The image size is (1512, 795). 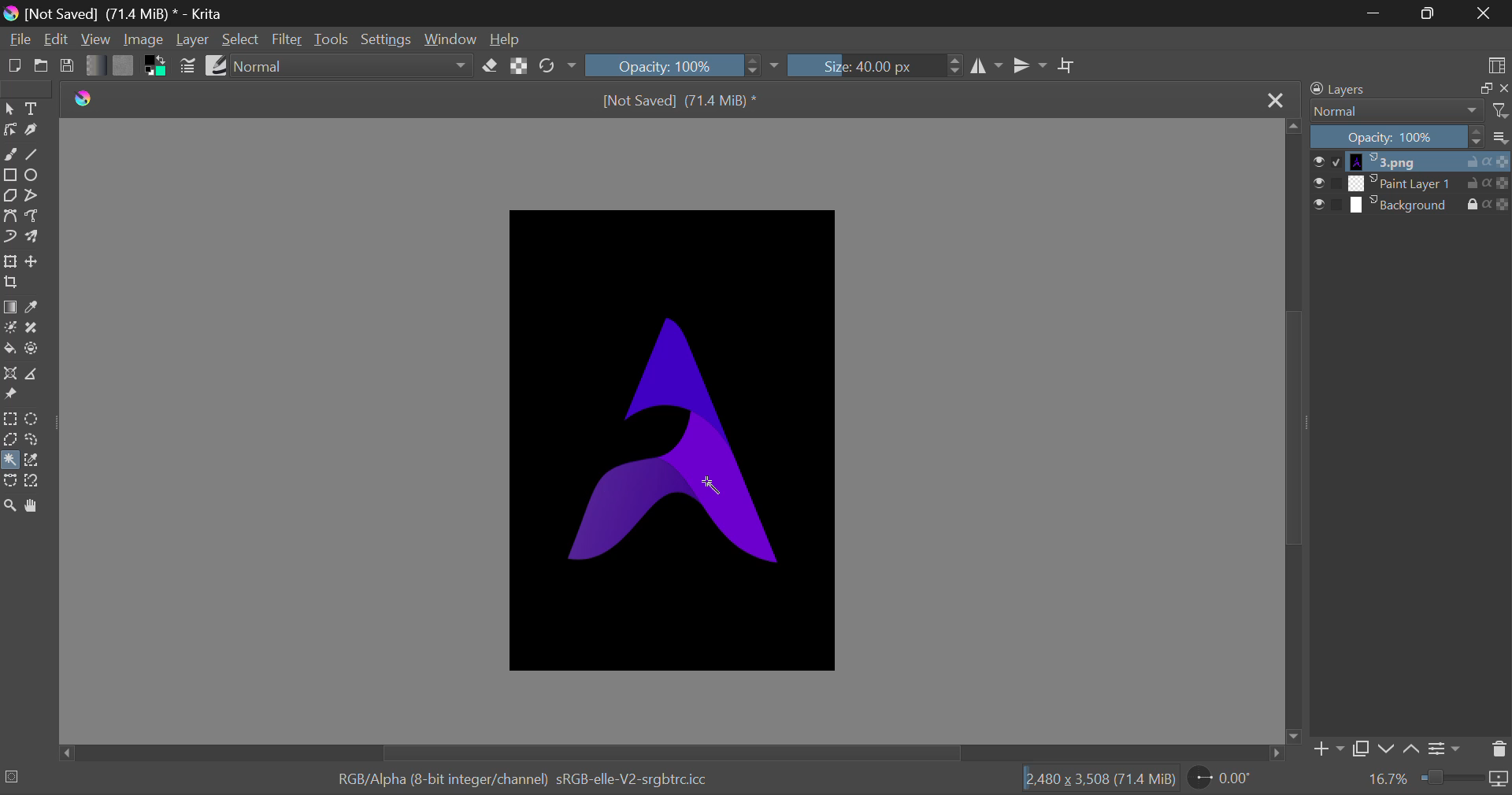 I want to click on Rotate Image, so click(x=558, y=66).